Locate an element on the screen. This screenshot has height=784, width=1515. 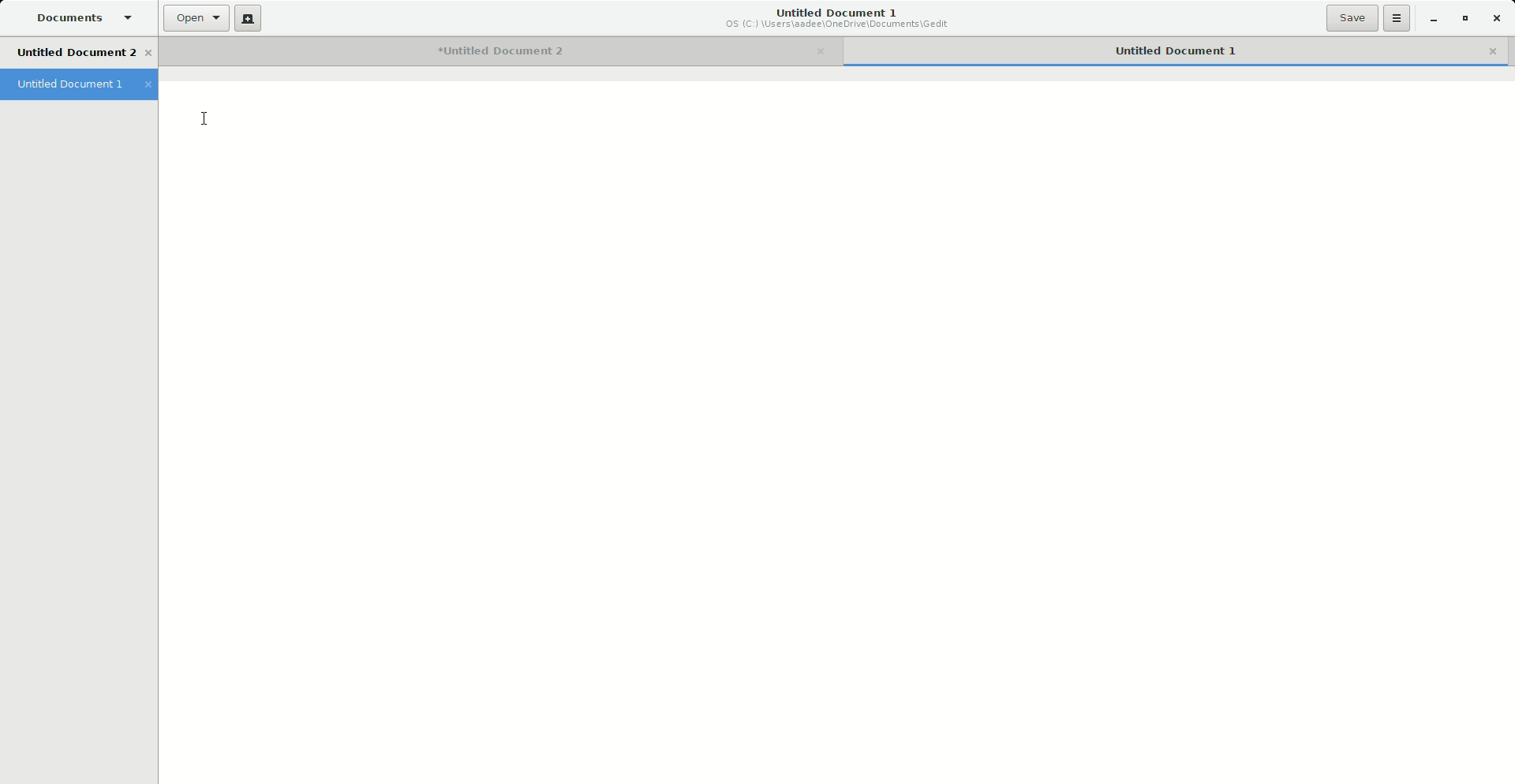
Minimize is located at coordinates (1433, 19).